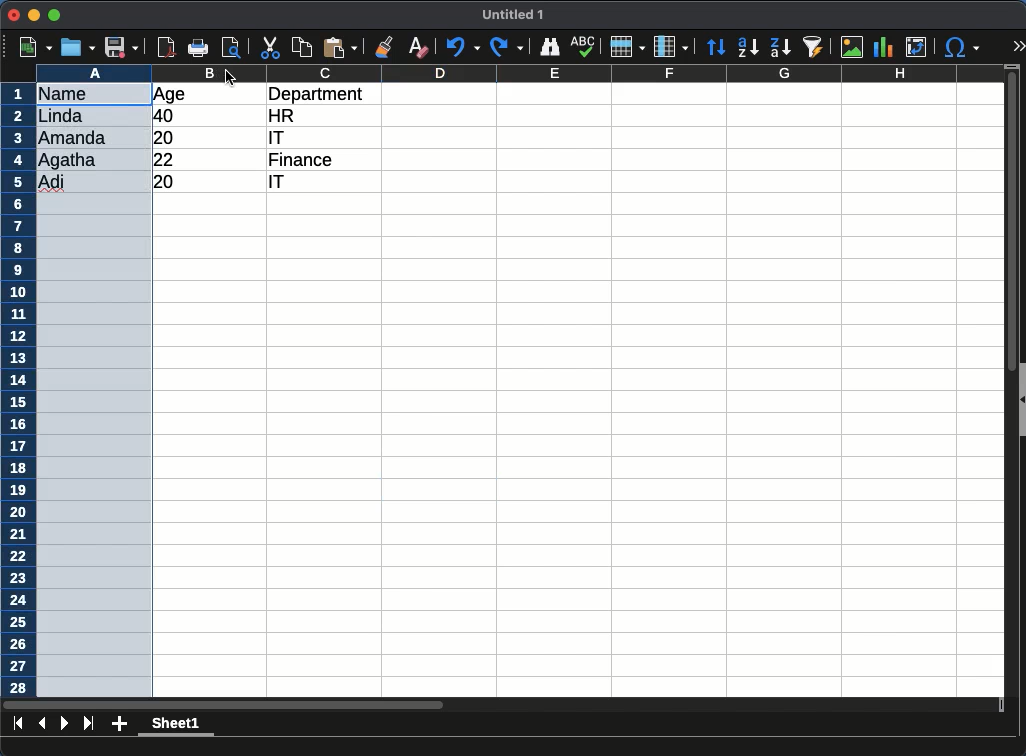  Describe the element at coordinates (916, 48) in the screenshot. I see `pivot table` at that location.